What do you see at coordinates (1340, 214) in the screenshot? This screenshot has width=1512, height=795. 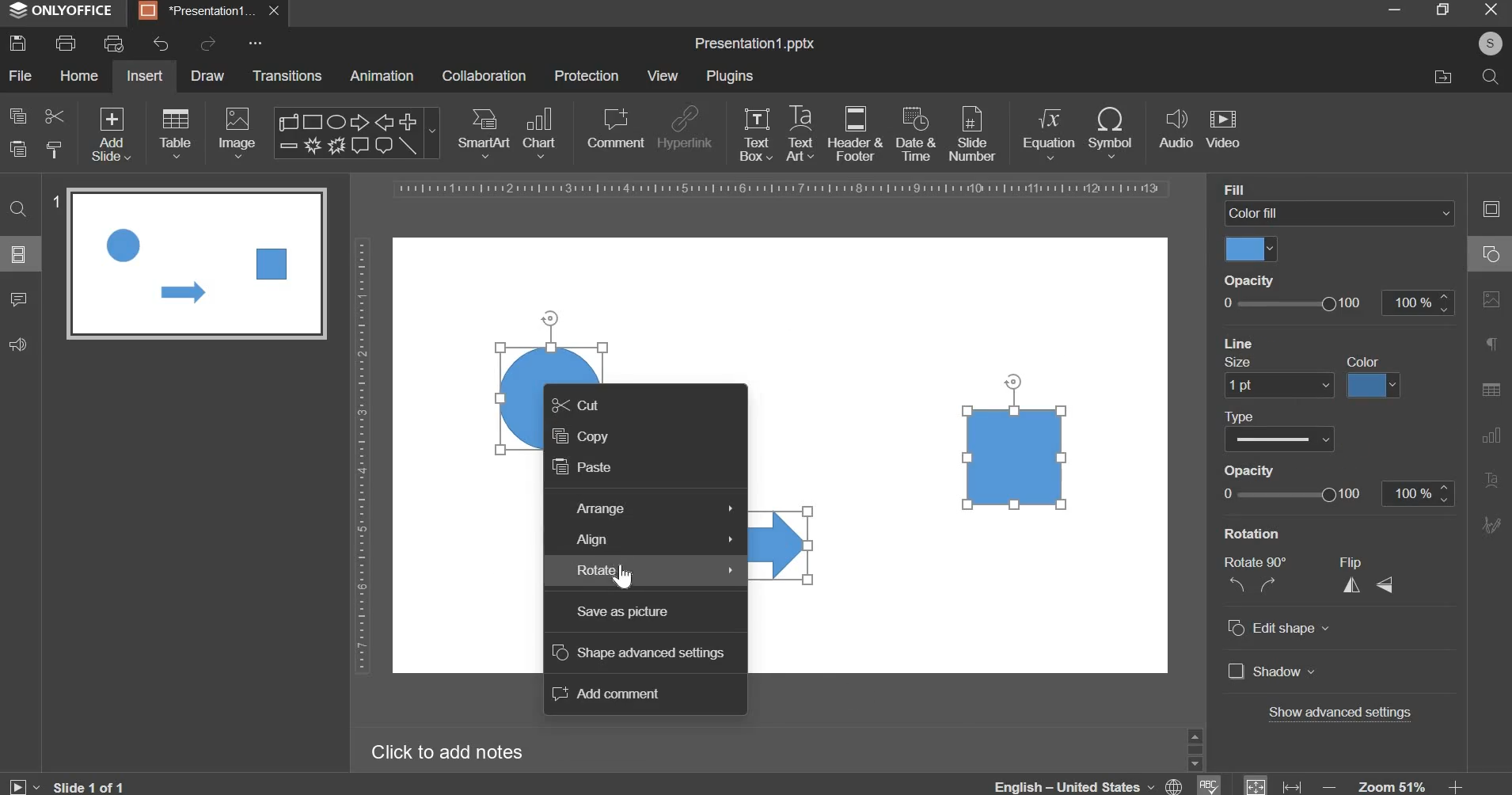 I see `background fill` at bounding box center [1340, 214].